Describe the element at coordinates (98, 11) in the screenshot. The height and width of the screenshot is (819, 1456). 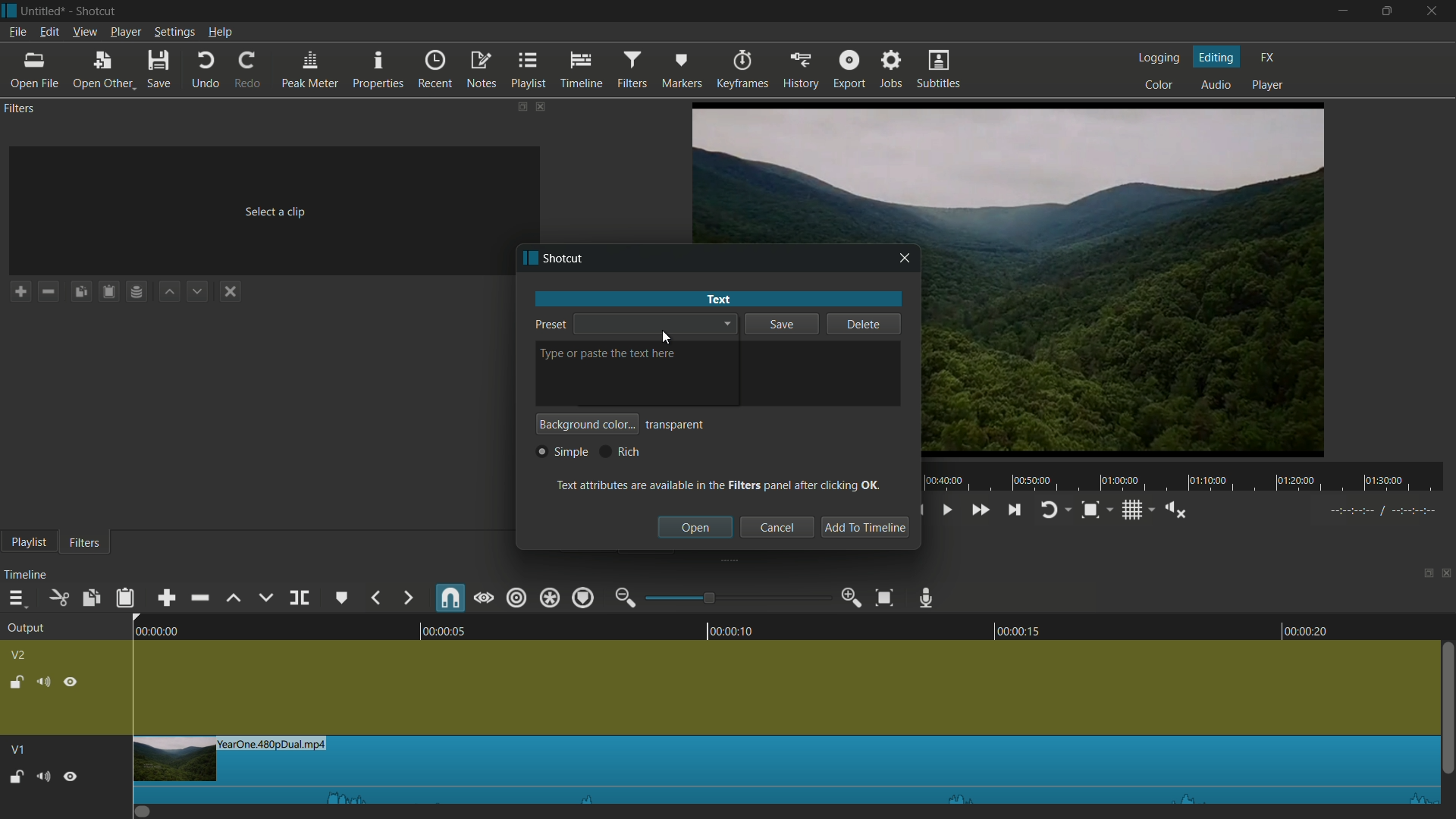
I see `app name` at that location.